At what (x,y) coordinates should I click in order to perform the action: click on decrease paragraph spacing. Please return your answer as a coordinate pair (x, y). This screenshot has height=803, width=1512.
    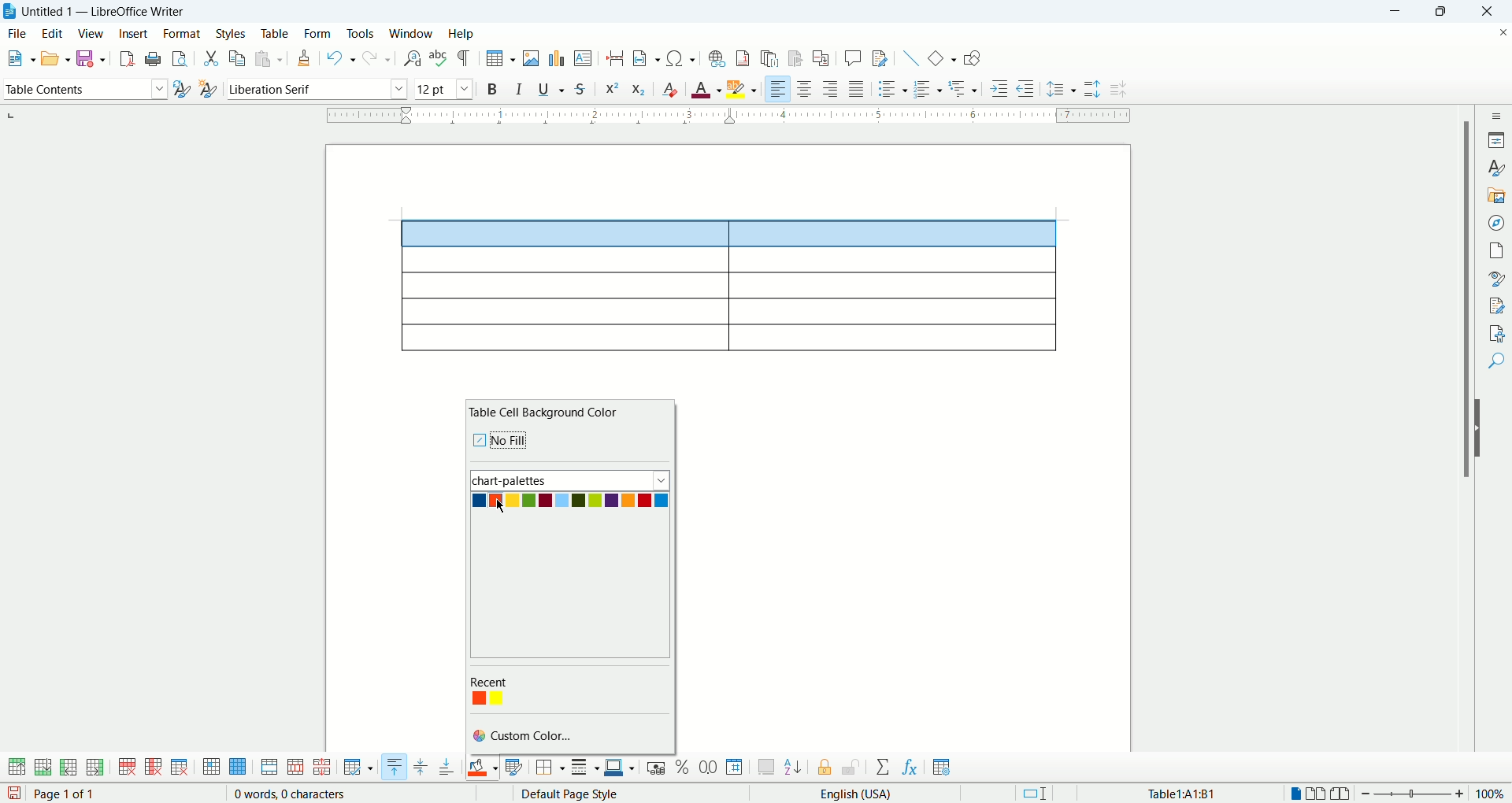
    Looking at the image, I should click on (1121, 90).